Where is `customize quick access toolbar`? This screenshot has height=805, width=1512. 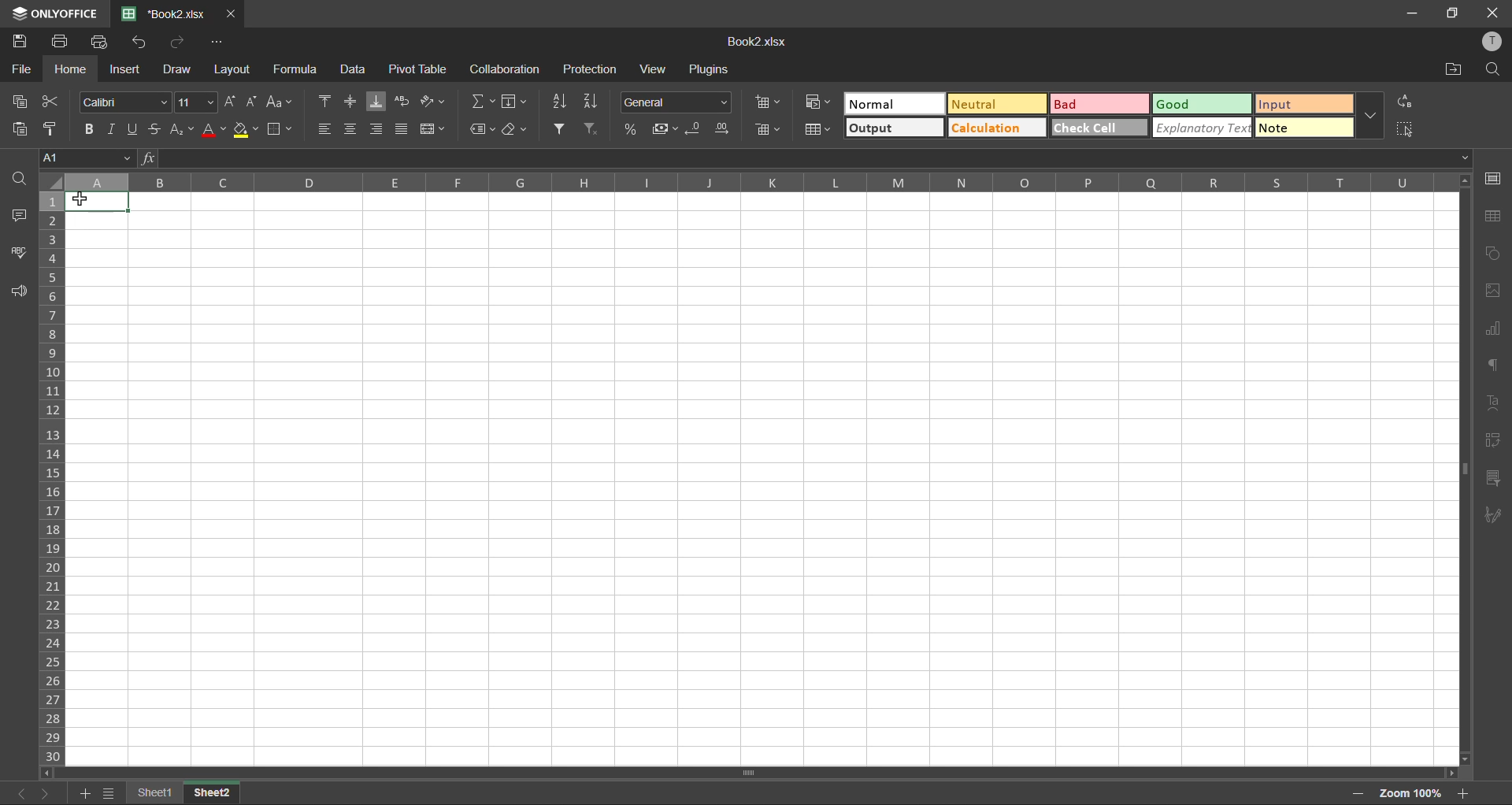 customize quick access toolbar is located at coordinates (217, 43).